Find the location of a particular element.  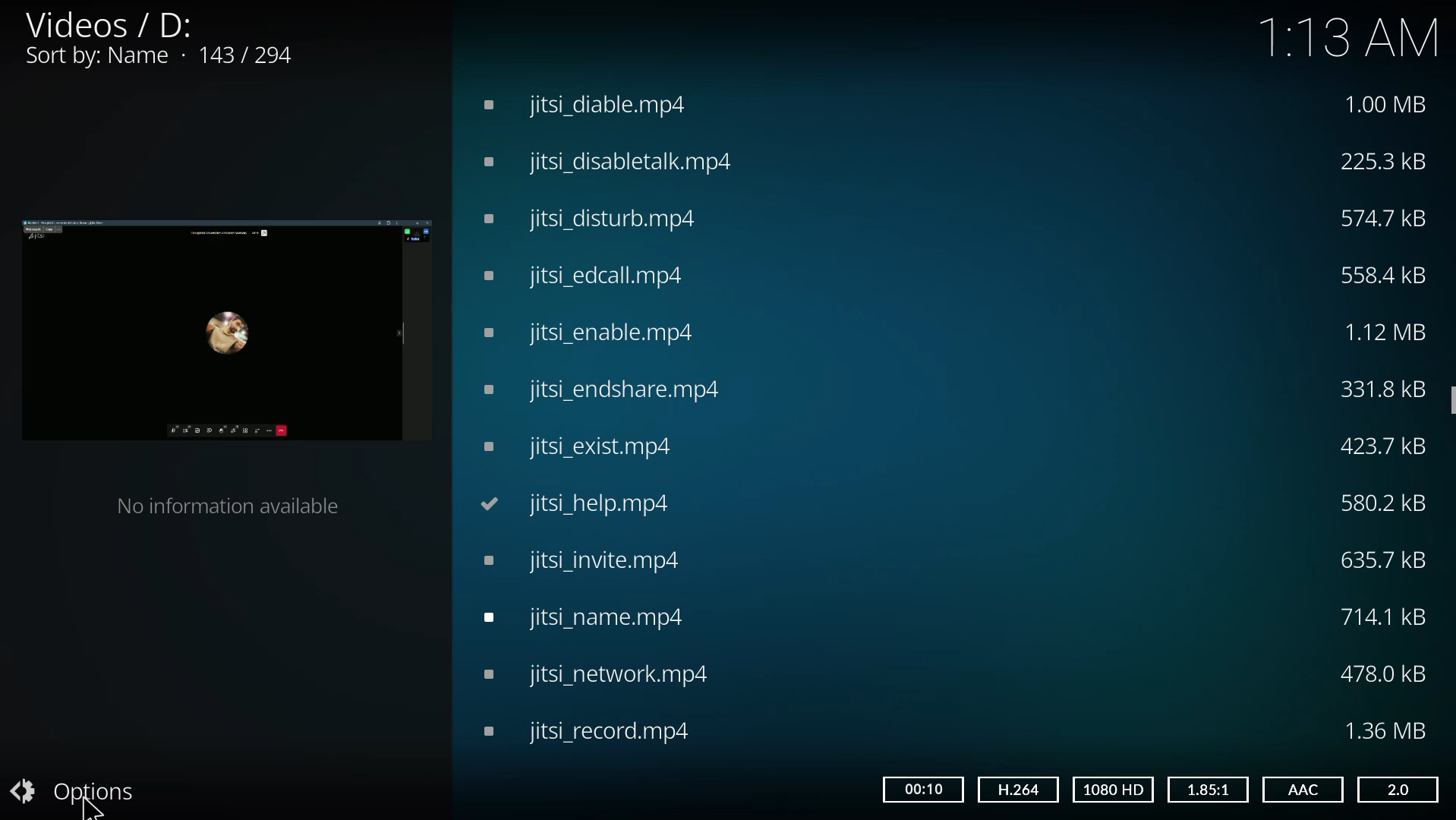

aac is located at coordinates (1299, 788).